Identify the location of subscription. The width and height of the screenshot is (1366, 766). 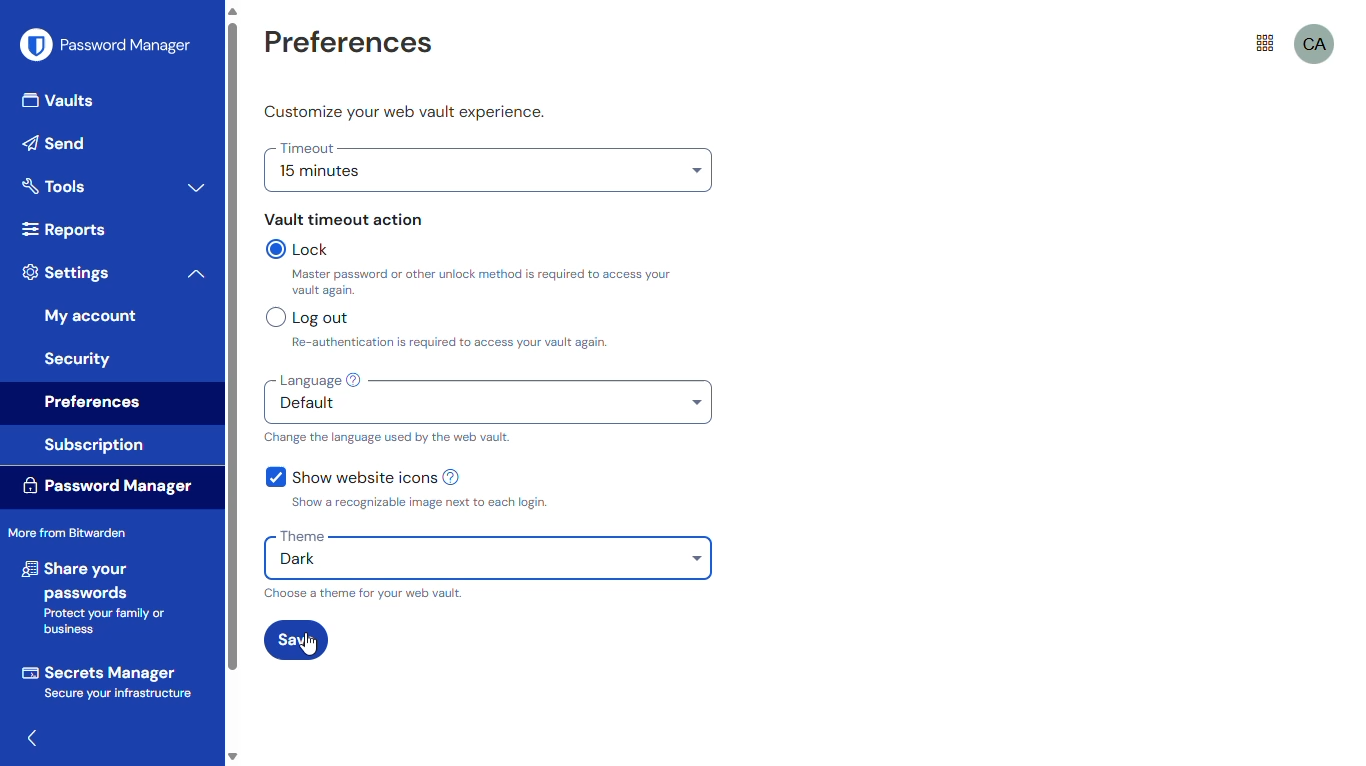
(95, 446).